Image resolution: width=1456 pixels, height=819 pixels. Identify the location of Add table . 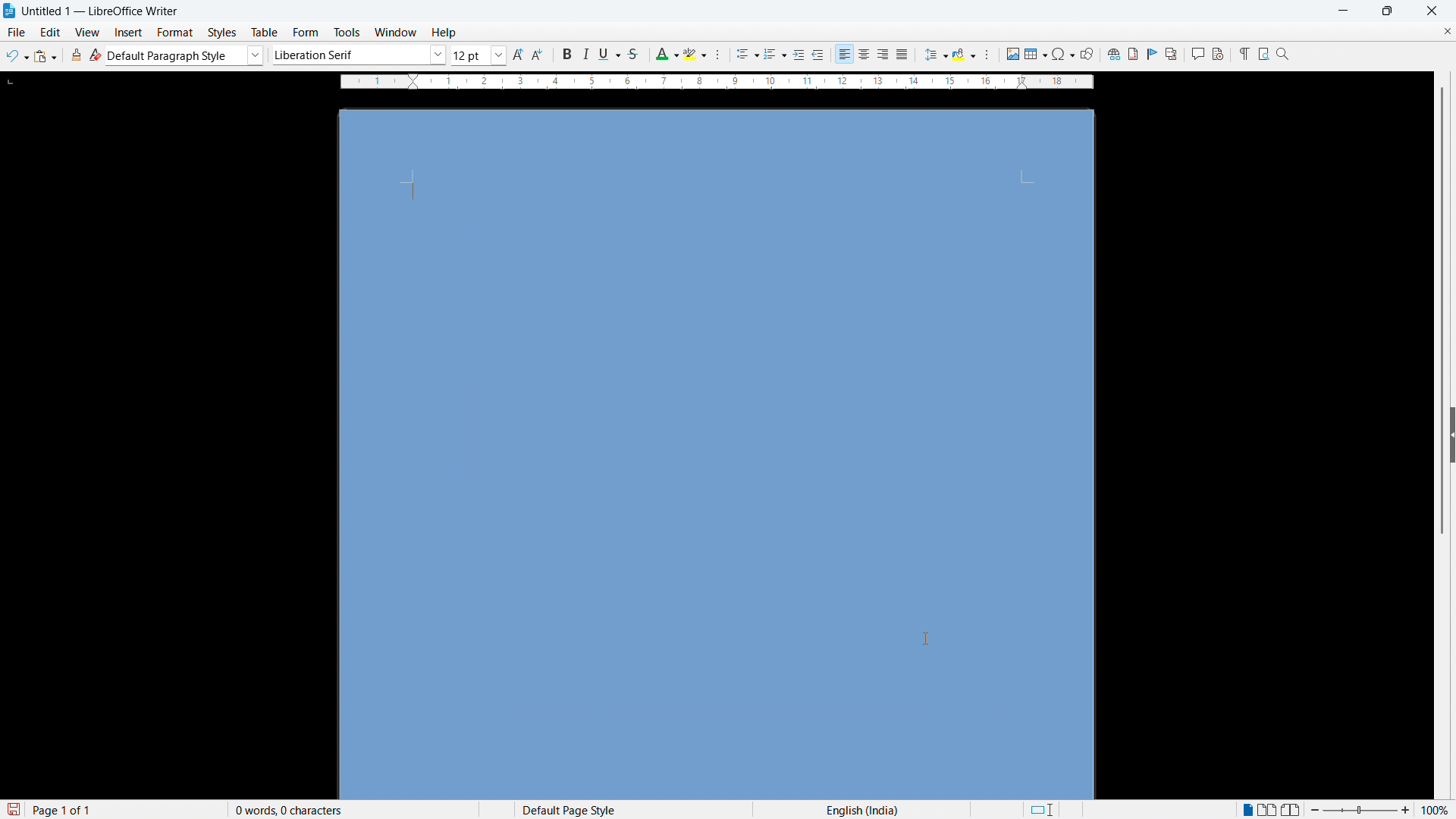
(1036, 54).